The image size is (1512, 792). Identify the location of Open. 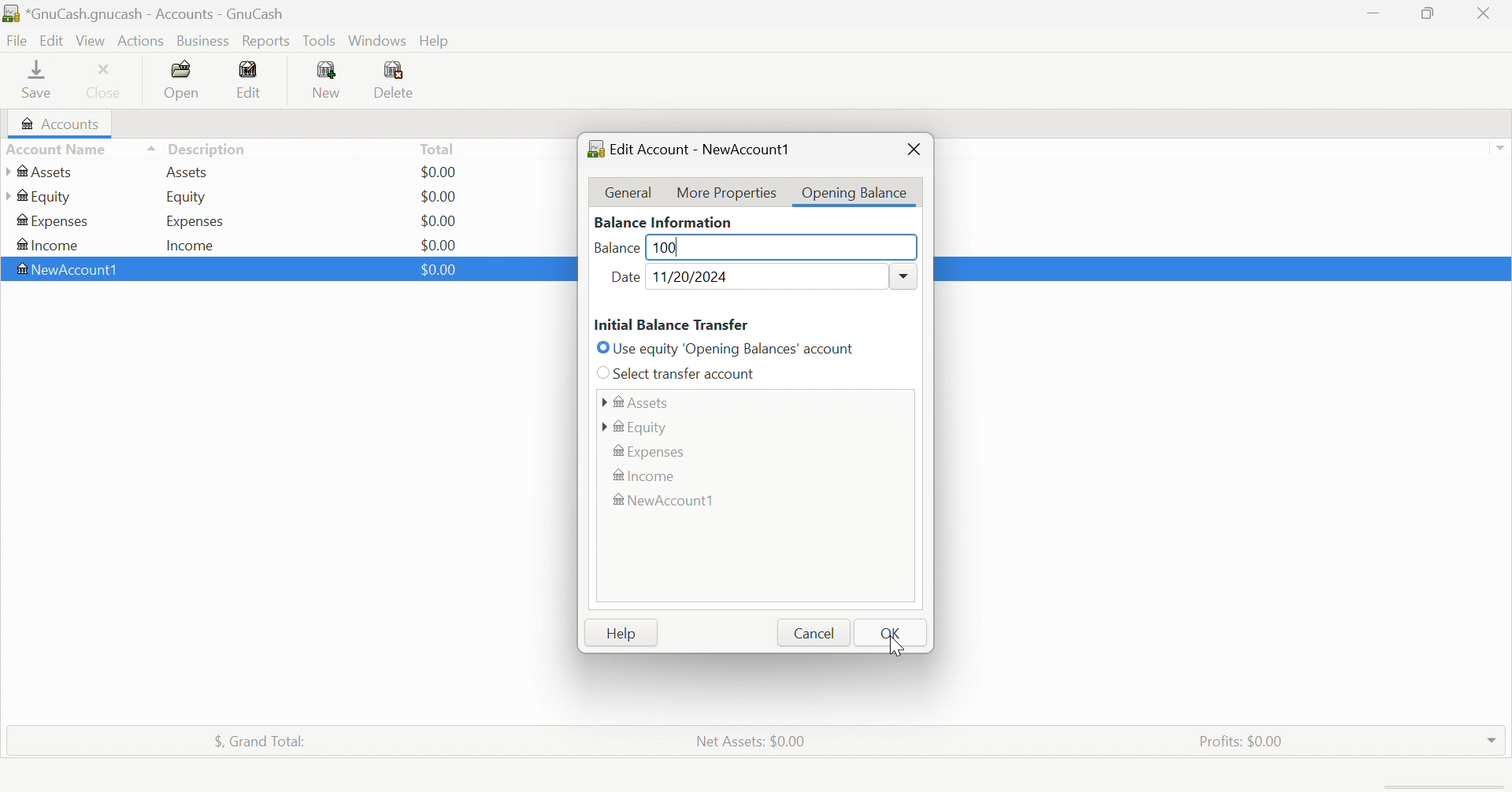
(183, 80).